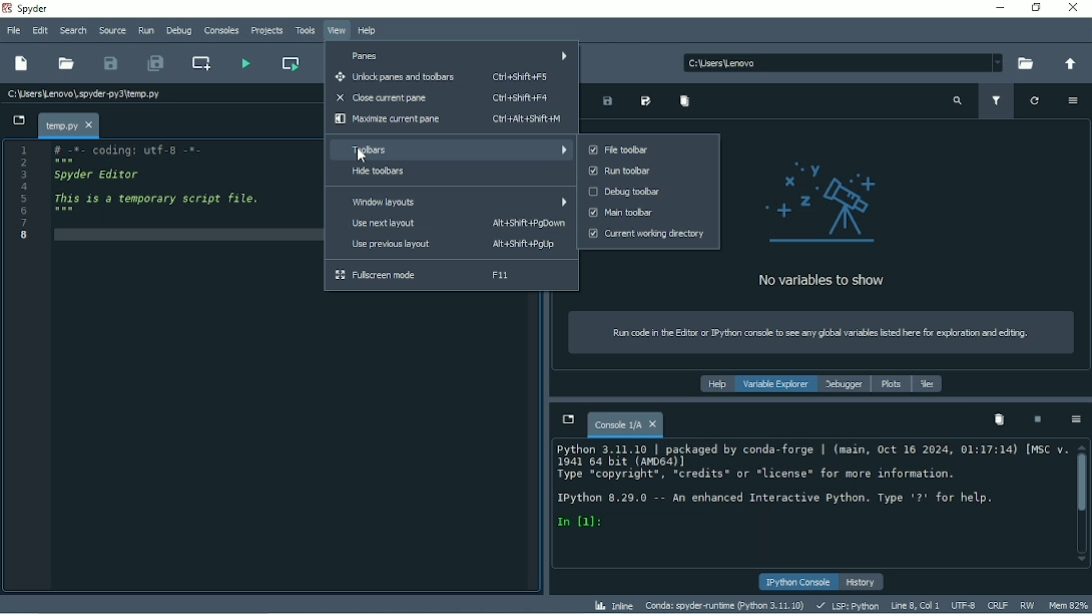 The width and height of the screenshot is (1092, 614). What do you see at coordinates (999, 419) in the screenshot?
I see `Remove all variables from namespace` at bounding box center [999, 419].